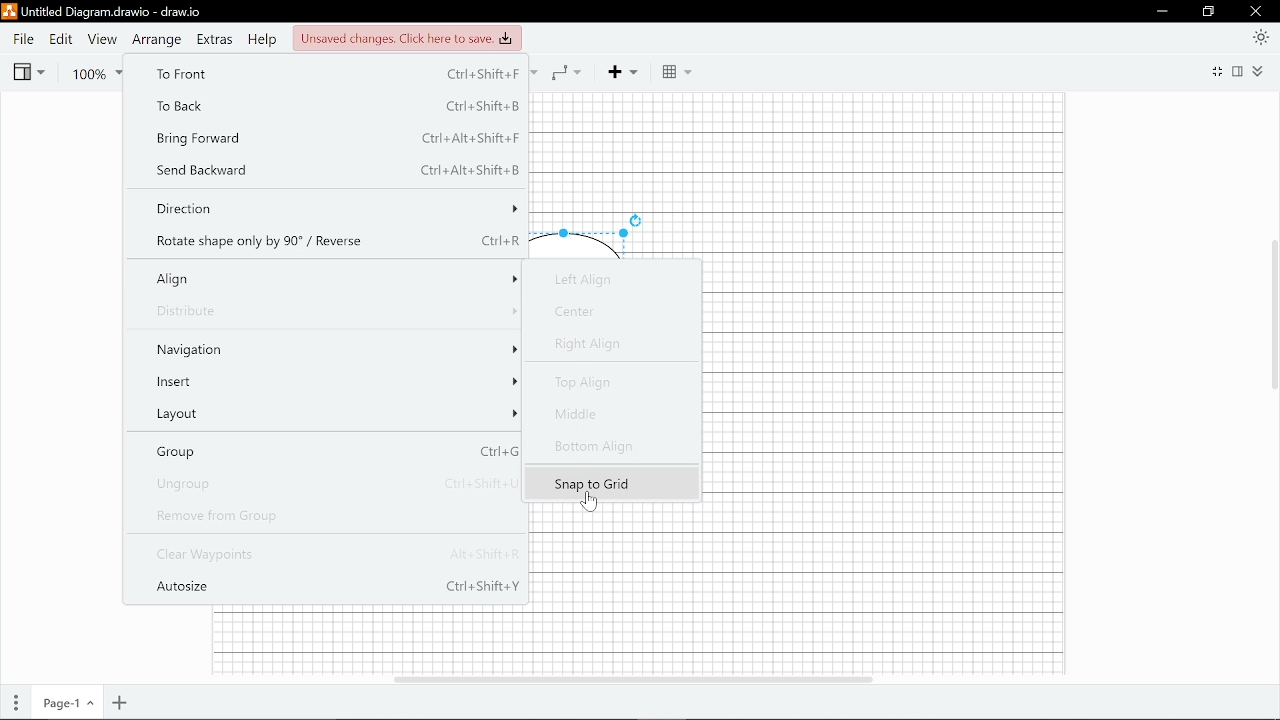 This screenshot has height=720, width=1280. What do you see at coordinates (608, 344) in the screenshot?
I see `Right Align` at bounding box center [608, 344].